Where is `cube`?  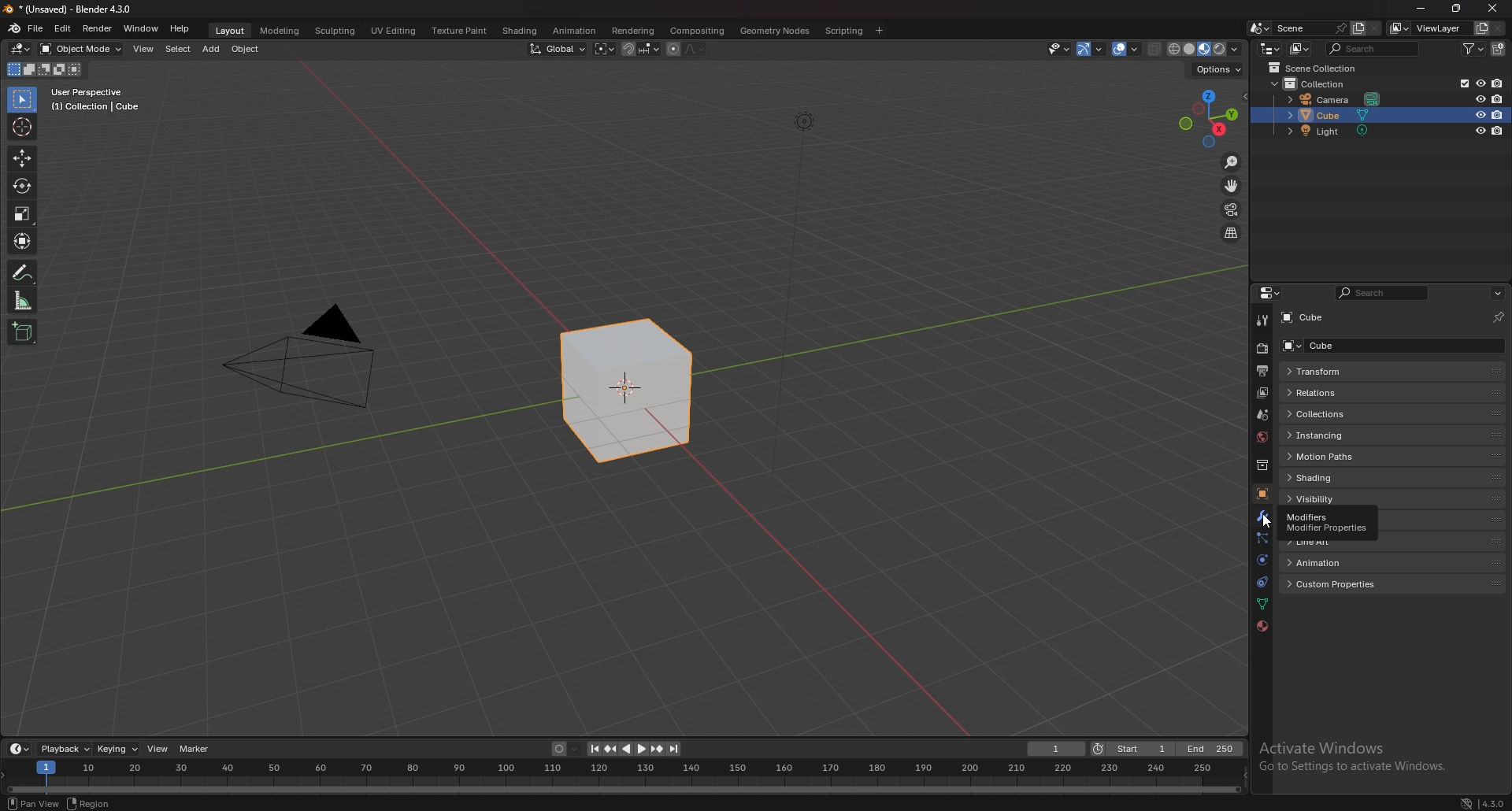 cube is located at coordinates (1345, 115).